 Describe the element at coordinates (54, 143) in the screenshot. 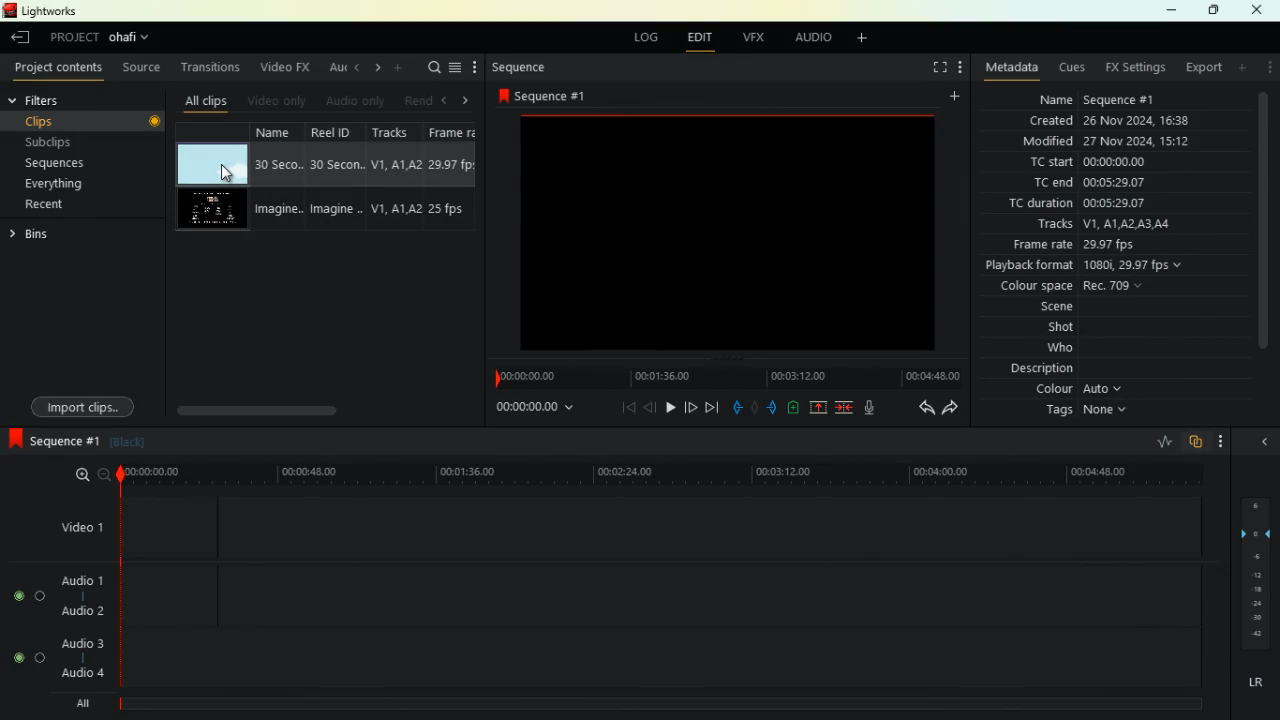

I see `subclips` at that location.